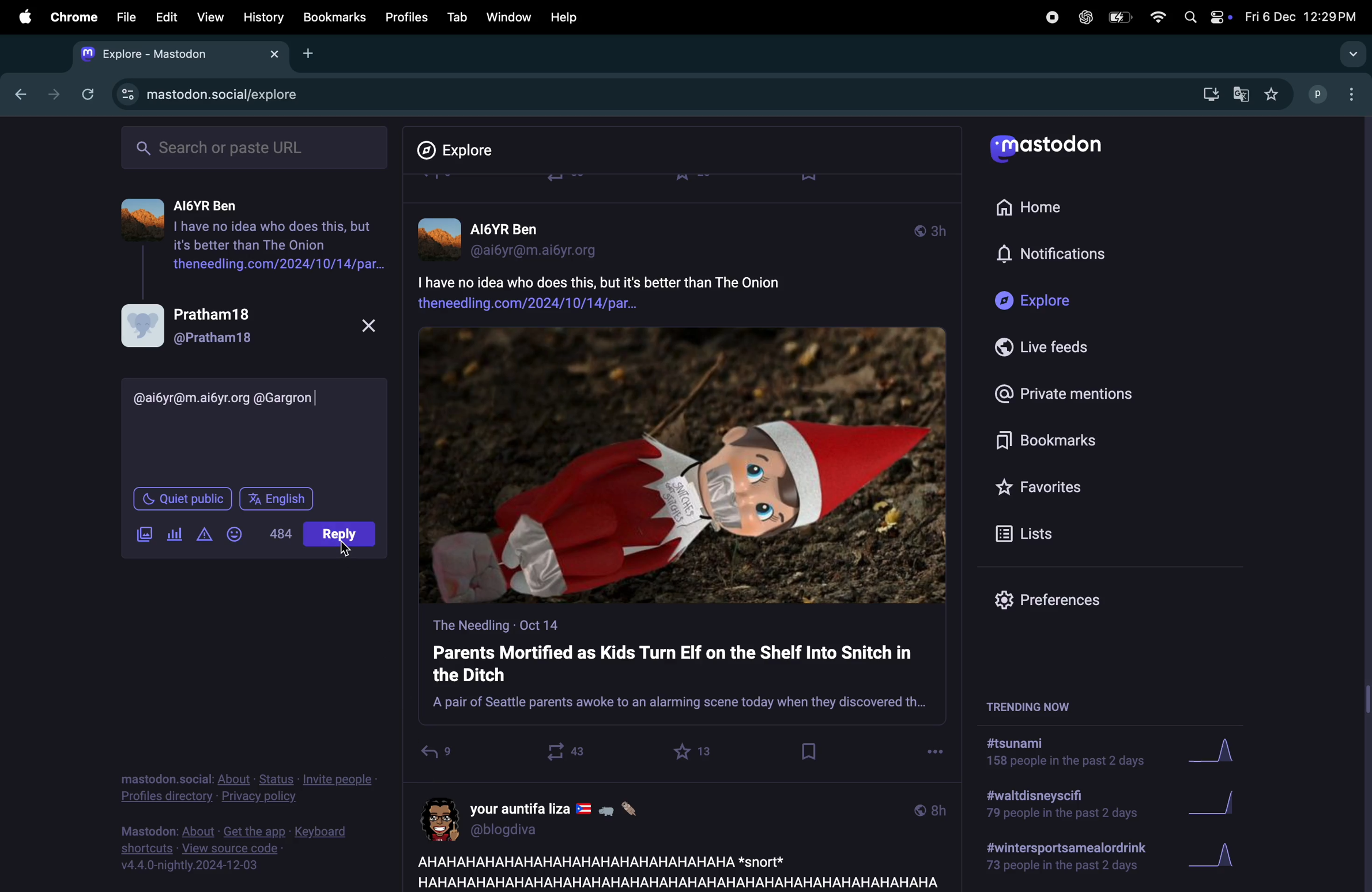 The height and width of the screenshot is (892, 1372). What do you see at coordinates (207, 18) in the screenshot?
I see `view` at bounding box center [207, 18].